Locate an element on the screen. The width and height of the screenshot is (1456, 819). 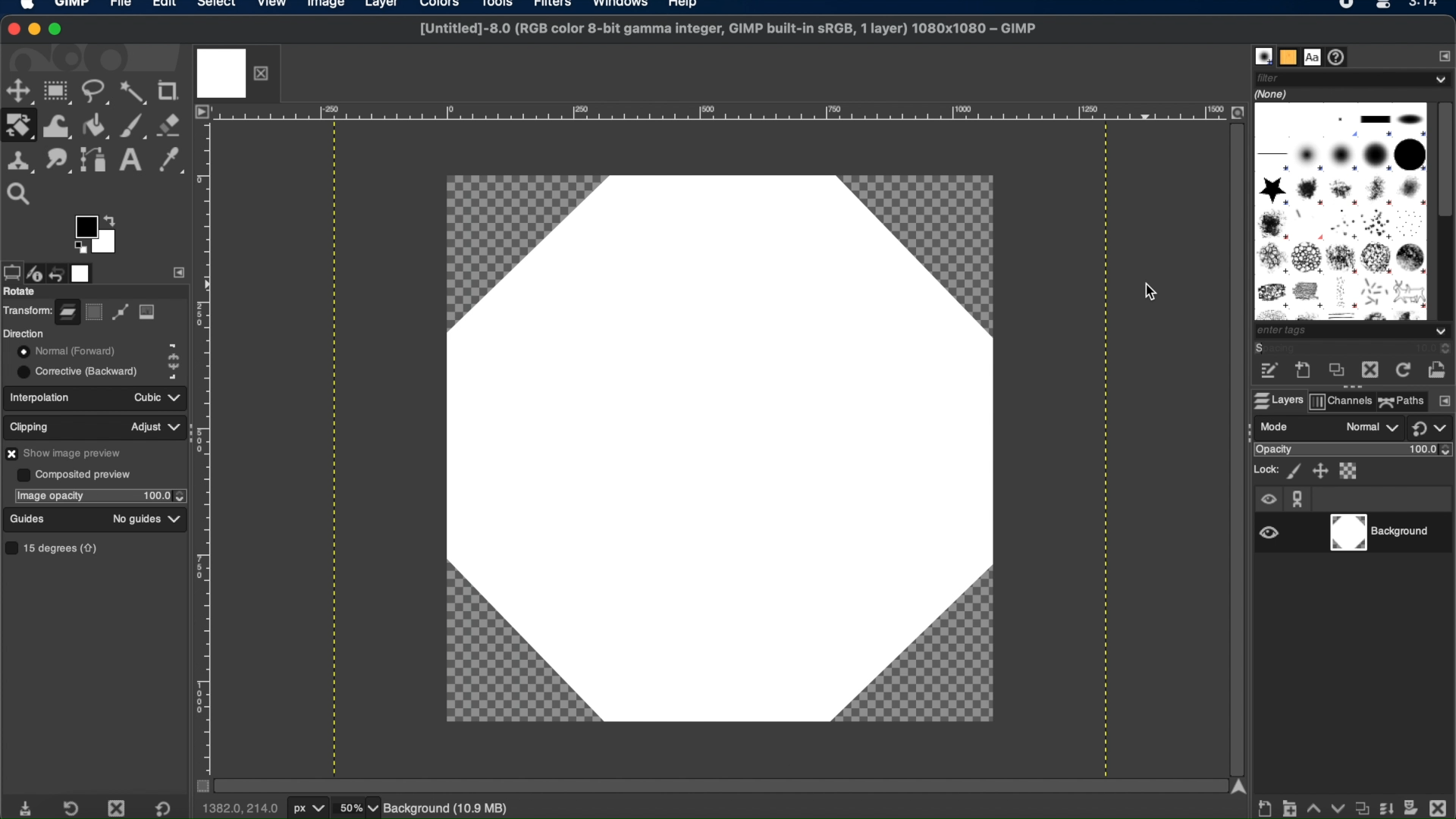
scroll bar is located at coordinates (715, 784).